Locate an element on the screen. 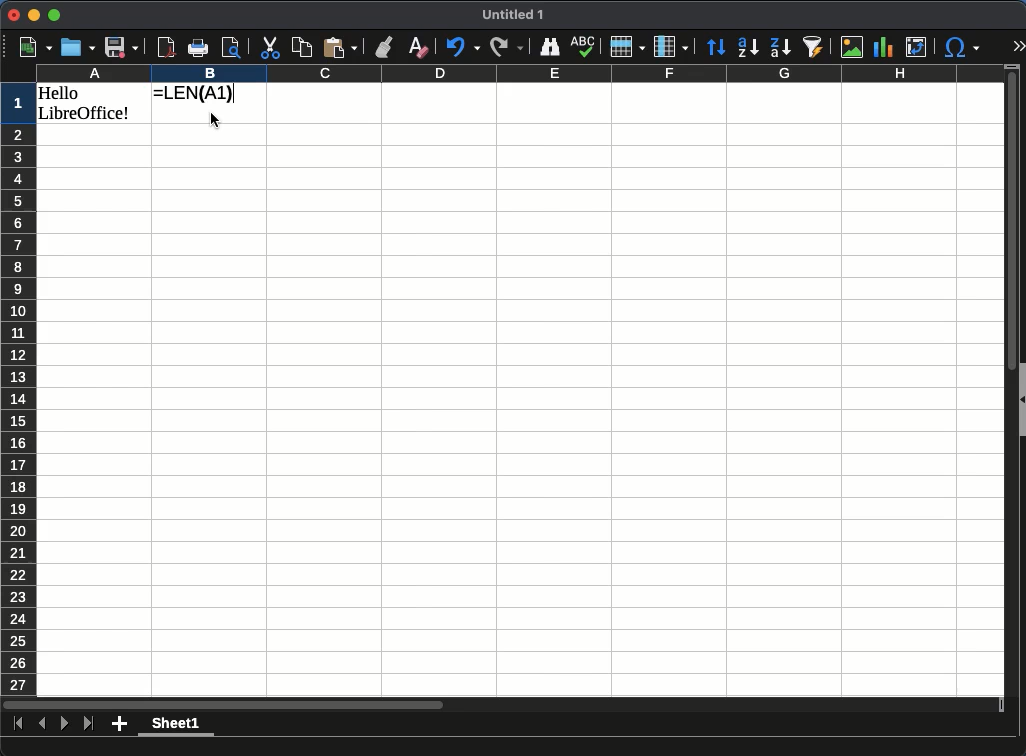 The width and height of the screenshot is (1026, 756). rows is located at coordinates (628, 45).